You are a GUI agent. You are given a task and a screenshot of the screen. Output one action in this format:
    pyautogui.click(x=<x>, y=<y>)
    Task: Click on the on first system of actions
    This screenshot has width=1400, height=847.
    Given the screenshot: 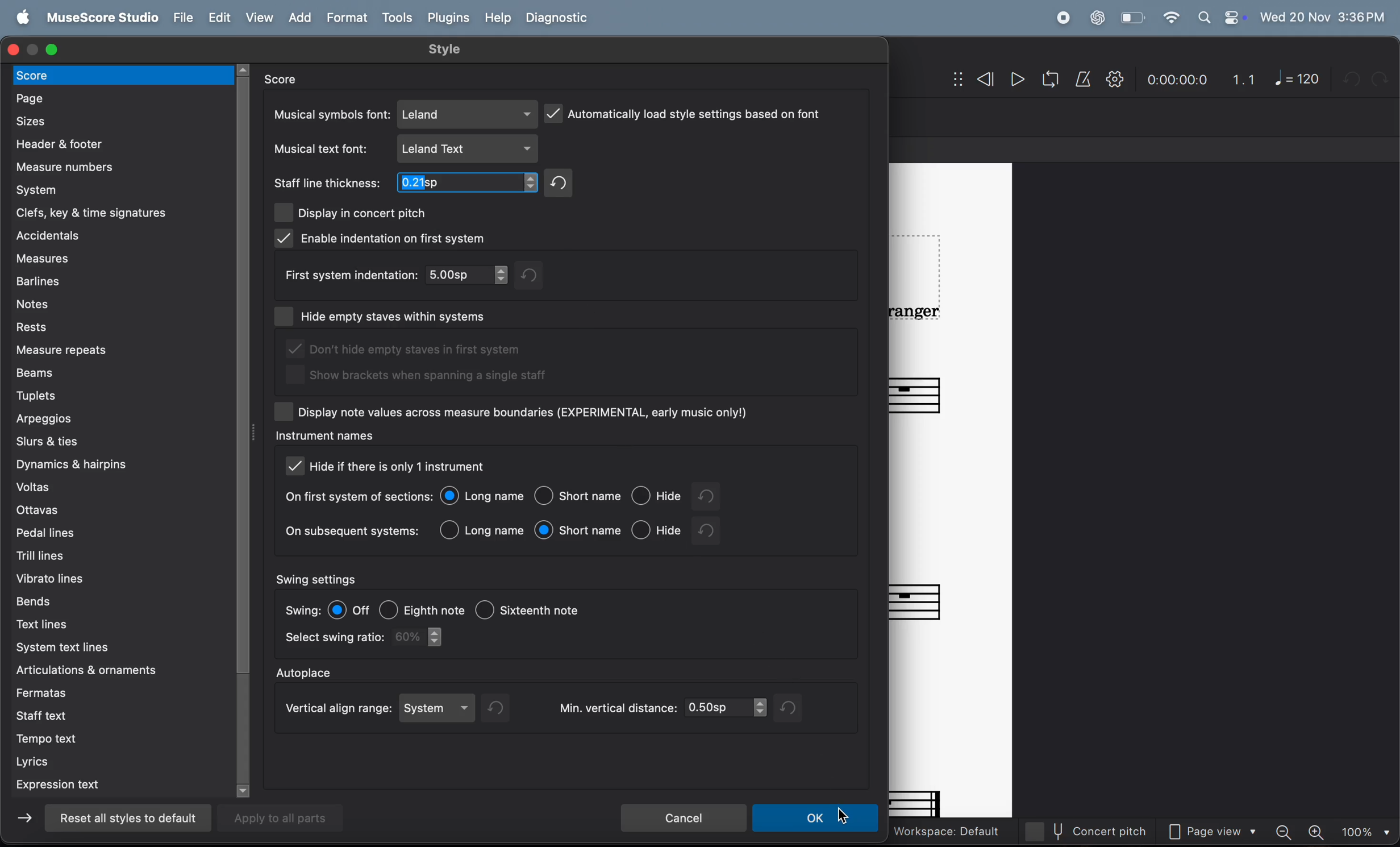 What is the action you would take?
    pyautogui.click(x=357, y=497)
    